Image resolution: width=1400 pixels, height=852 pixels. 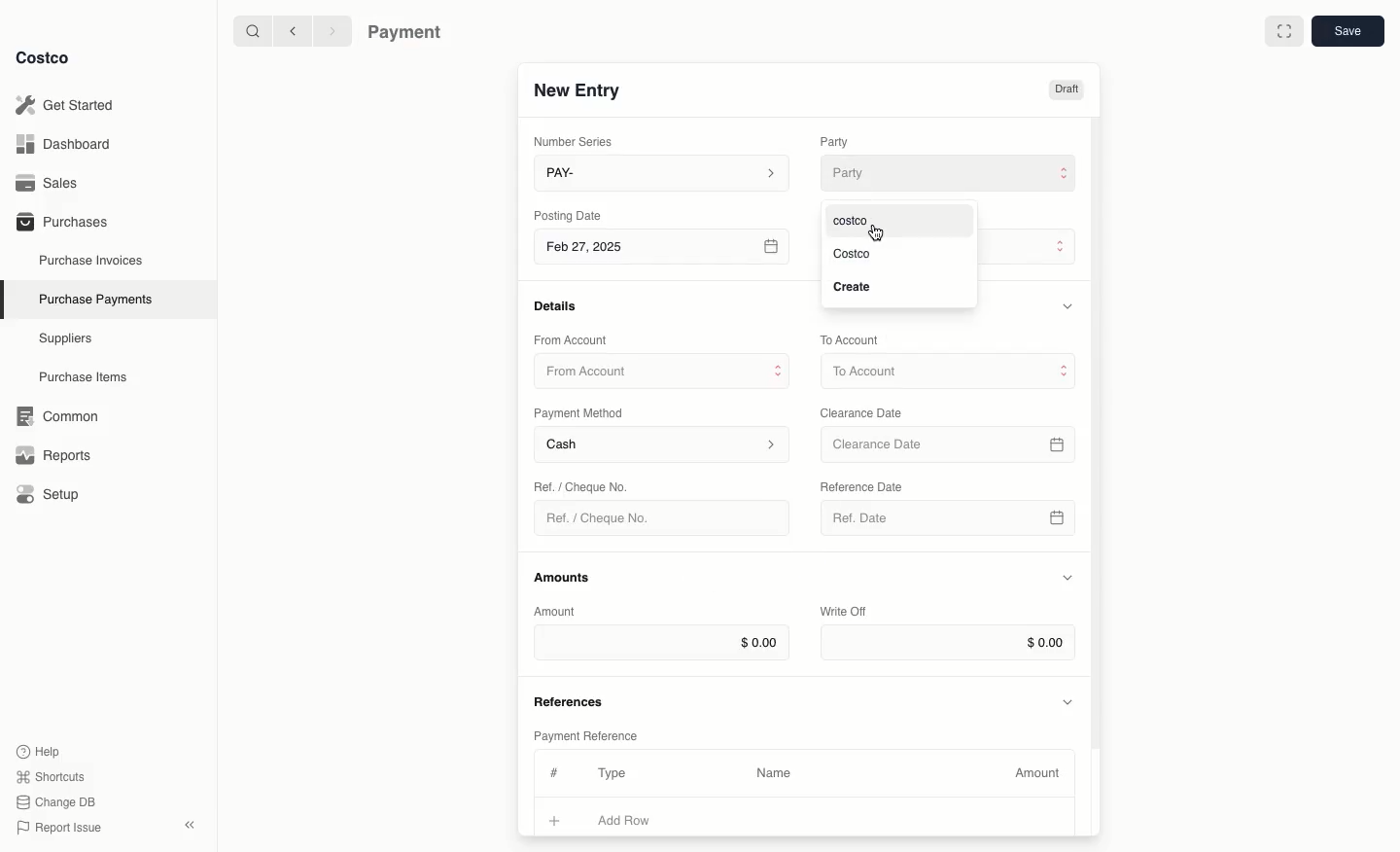 I want to click on PAY-, so click(x=663, y=172).